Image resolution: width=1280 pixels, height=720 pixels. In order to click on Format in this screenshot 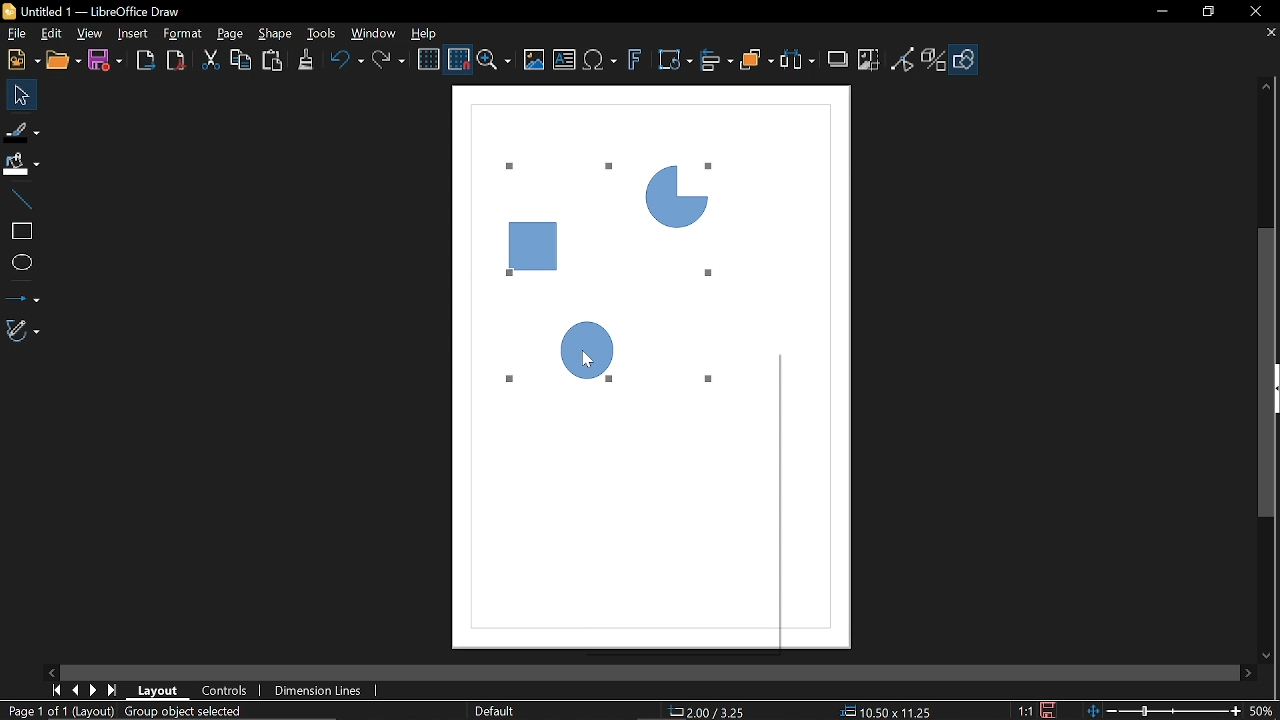, I will do `click(182, 34)`.